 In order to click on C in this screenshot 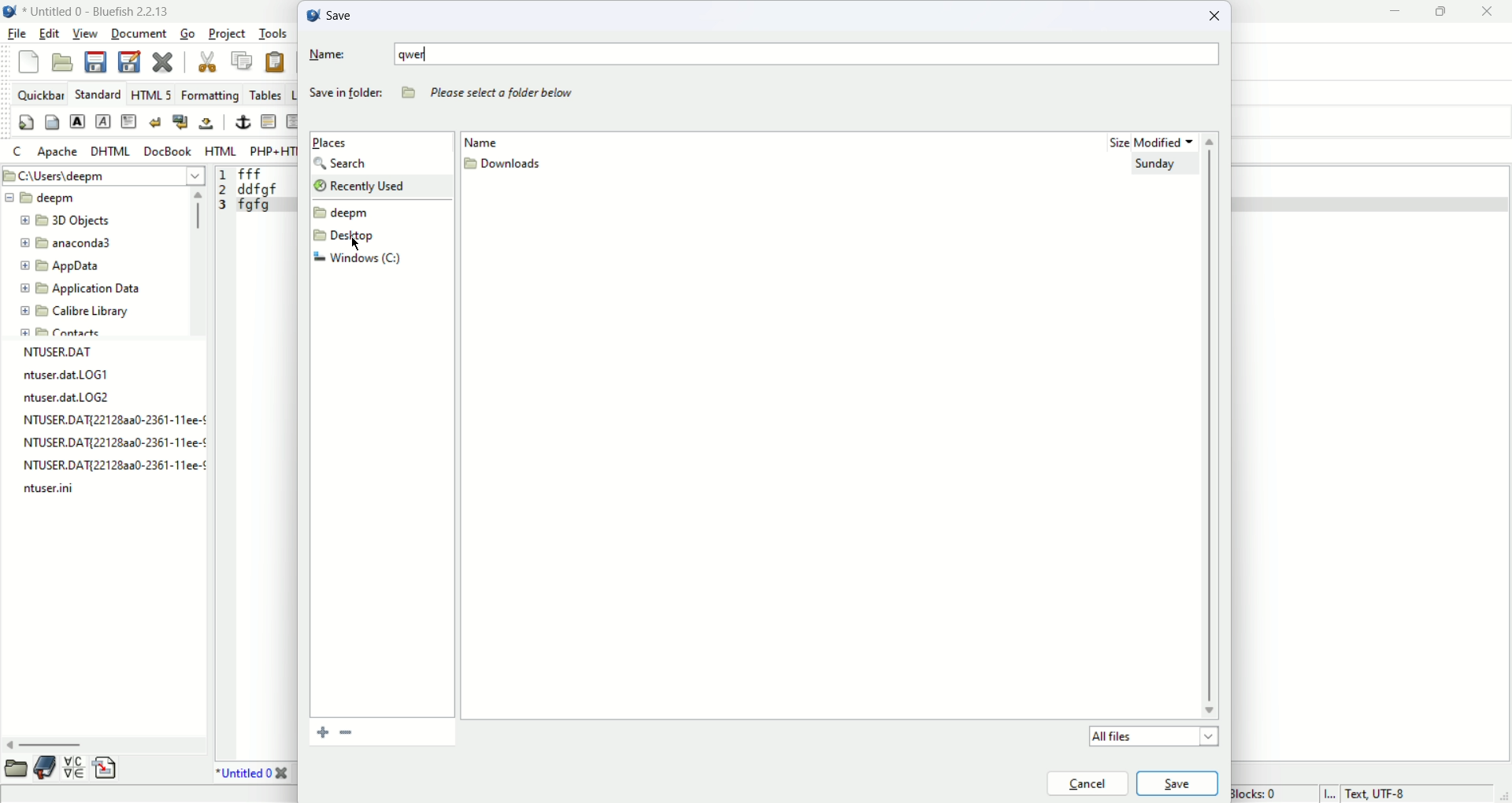, I will do `click(18, 152)`.